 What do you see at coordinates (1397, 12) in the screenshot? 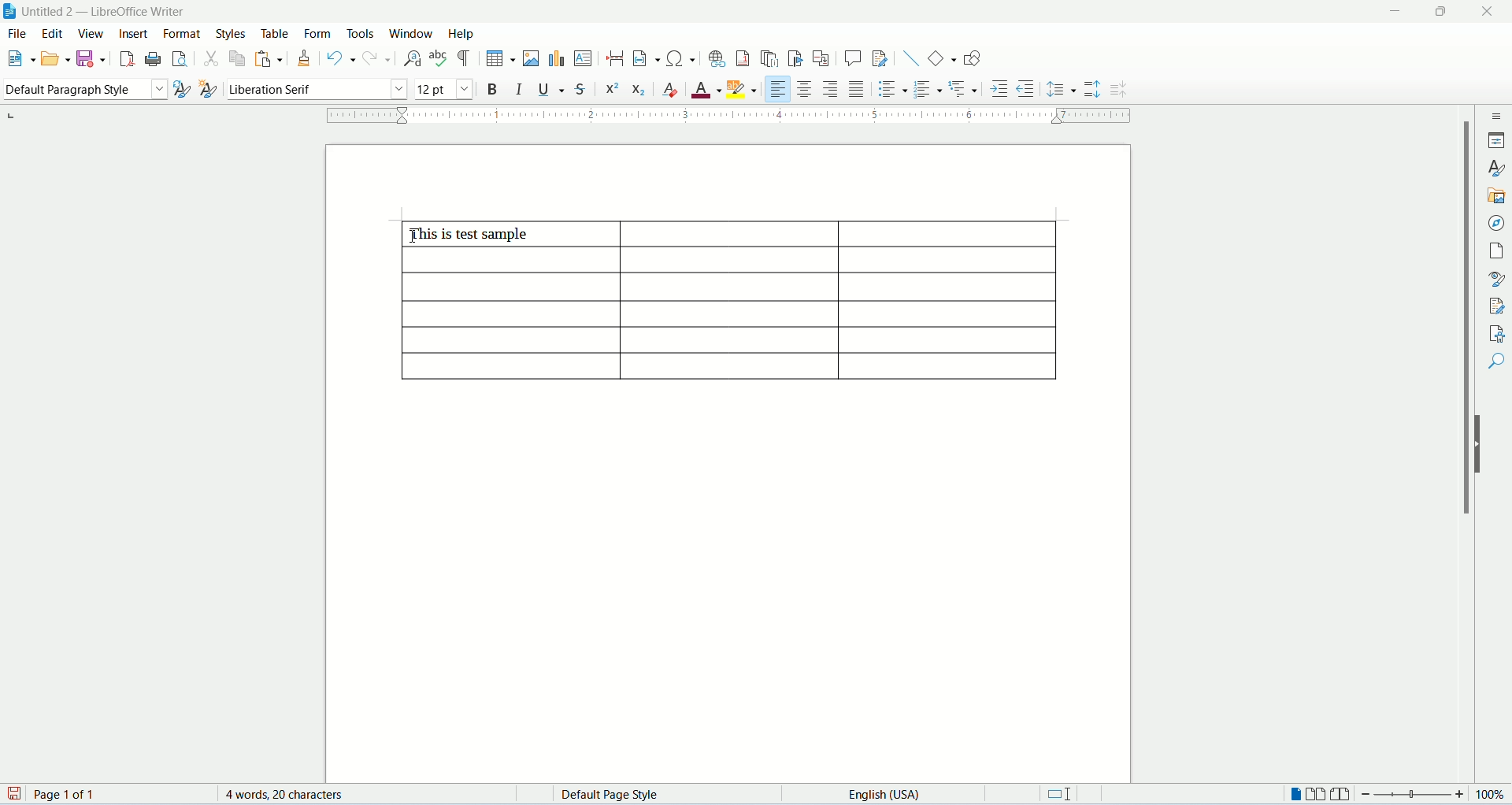
I see `minimize` at bounding box center [1397, 12].